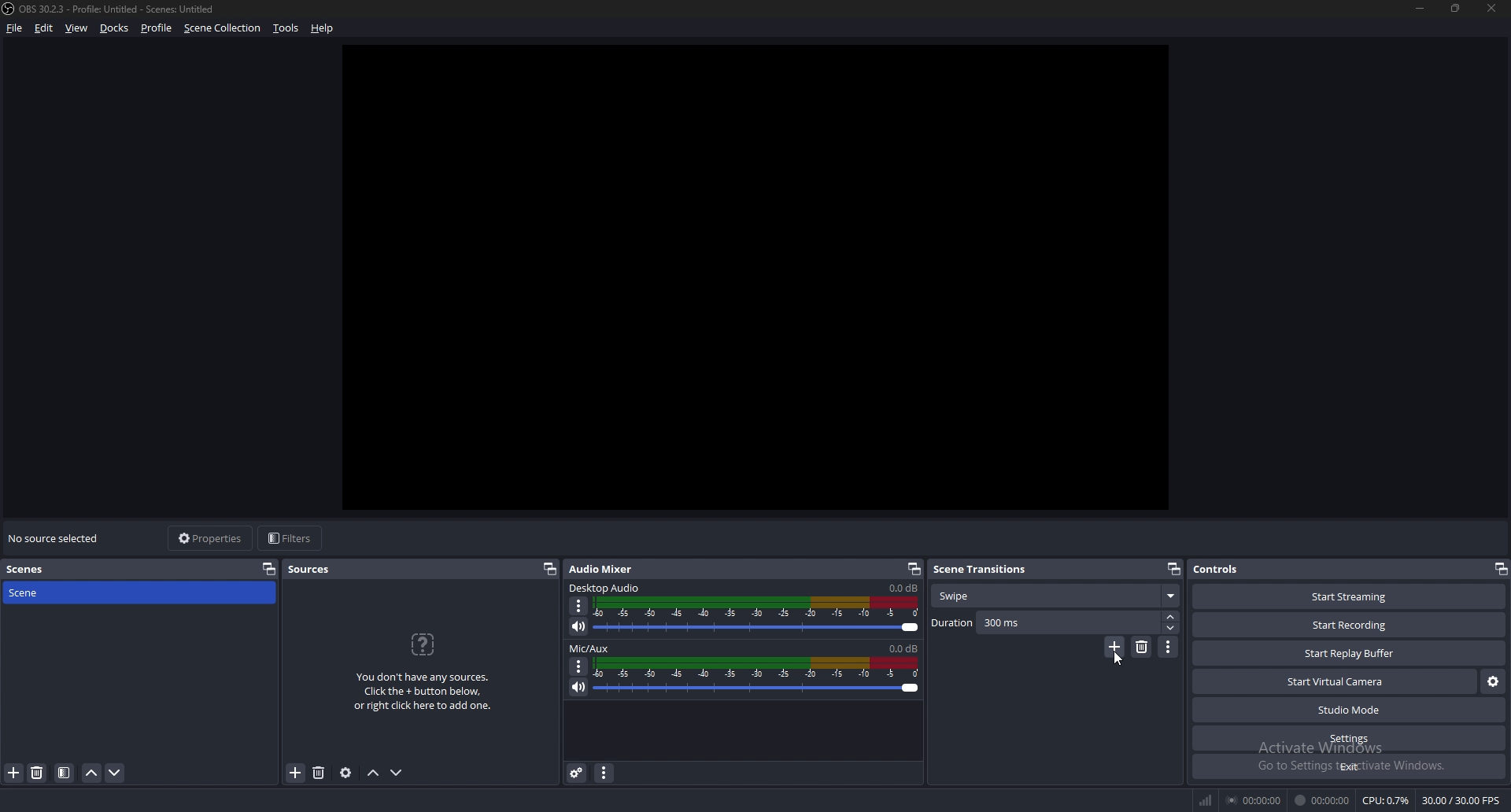 The image size is (1511, 812). Describe the element at coordinates (579, 606) in the screenshot. I see `options` at that location.